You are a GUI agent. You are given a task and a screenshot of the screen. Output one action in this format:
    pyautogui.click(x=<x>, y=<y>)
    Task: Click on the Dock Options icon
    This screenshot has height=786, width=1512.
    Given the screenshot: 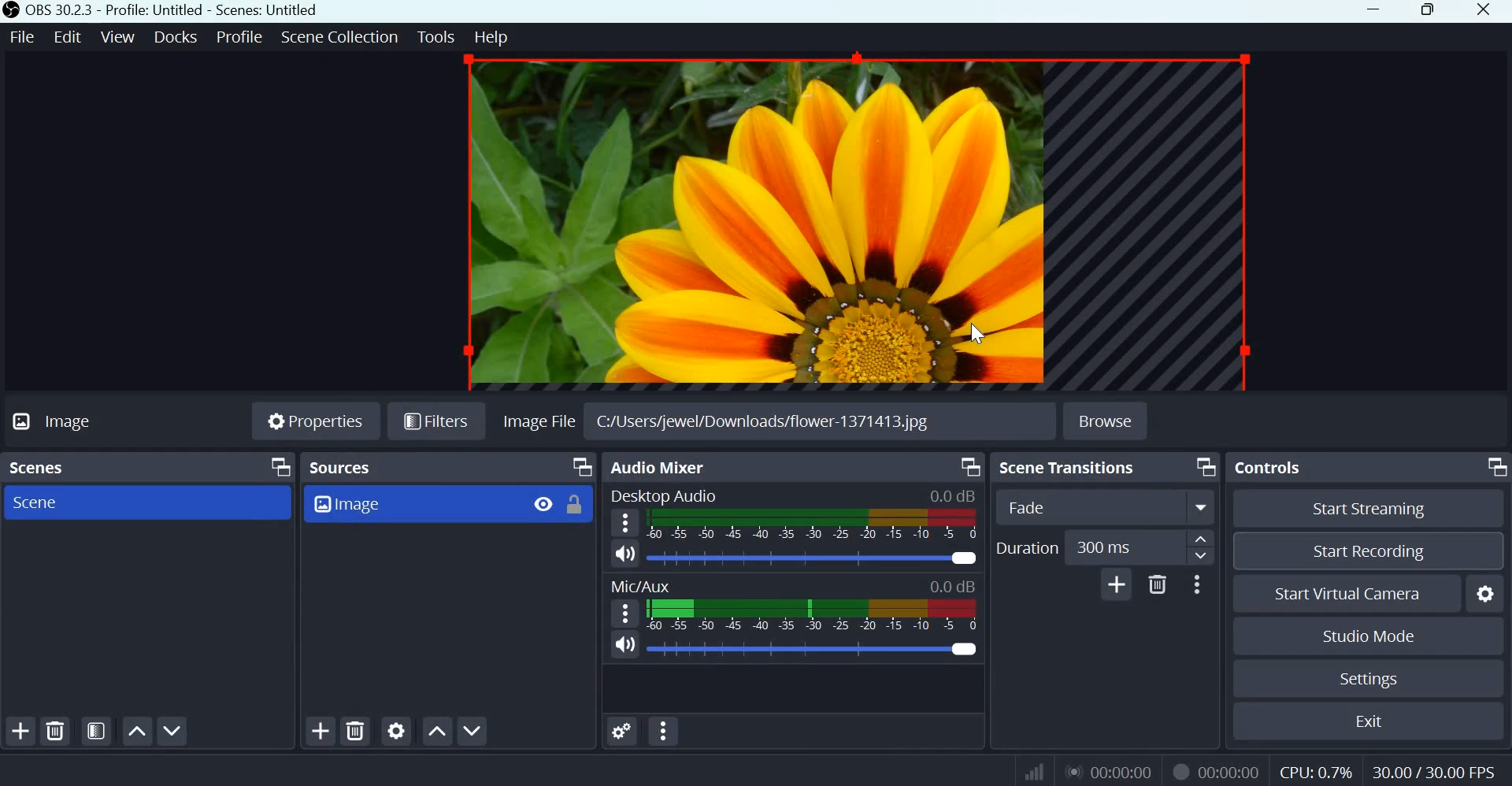 What is the action you would take?
    pyautogui.click(x=581, y=465)
    